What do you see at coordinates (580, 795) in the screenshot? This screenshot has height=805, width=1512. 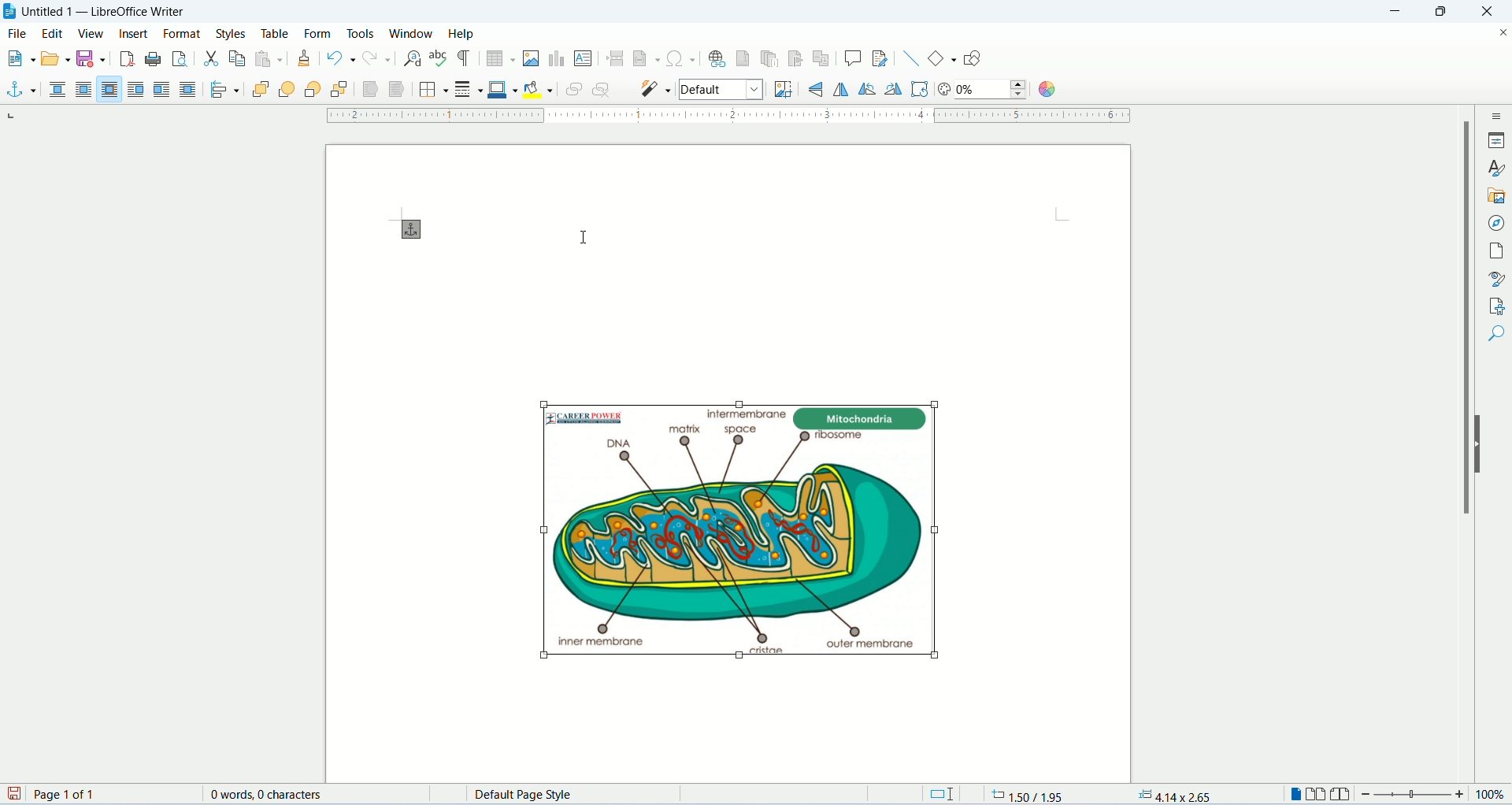 I see `Default page style` at bounding box center [580, 795].